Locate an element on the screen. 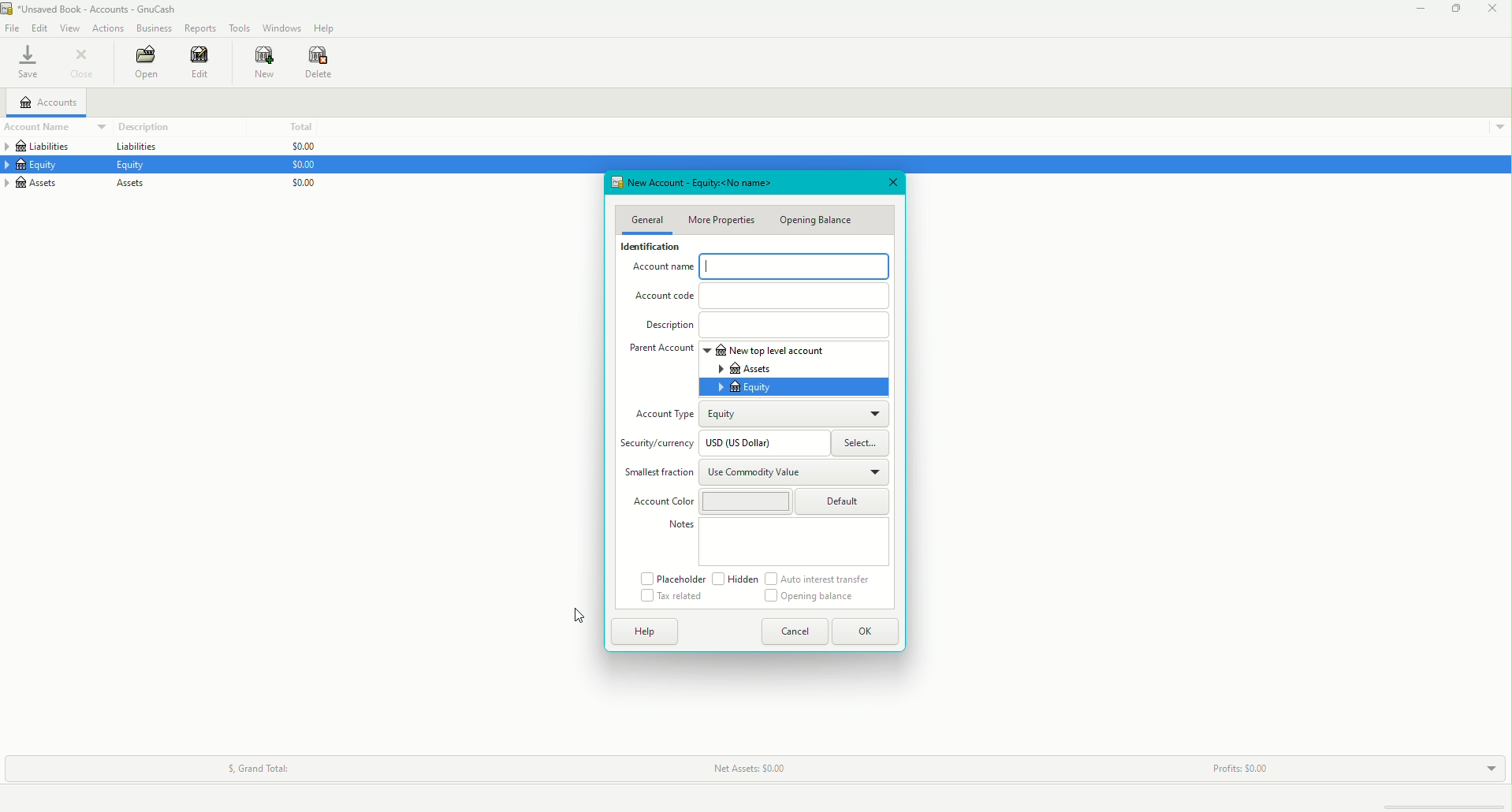 This screenshot has width=1512, height=812. Assets is located at coordinates (132, 184).